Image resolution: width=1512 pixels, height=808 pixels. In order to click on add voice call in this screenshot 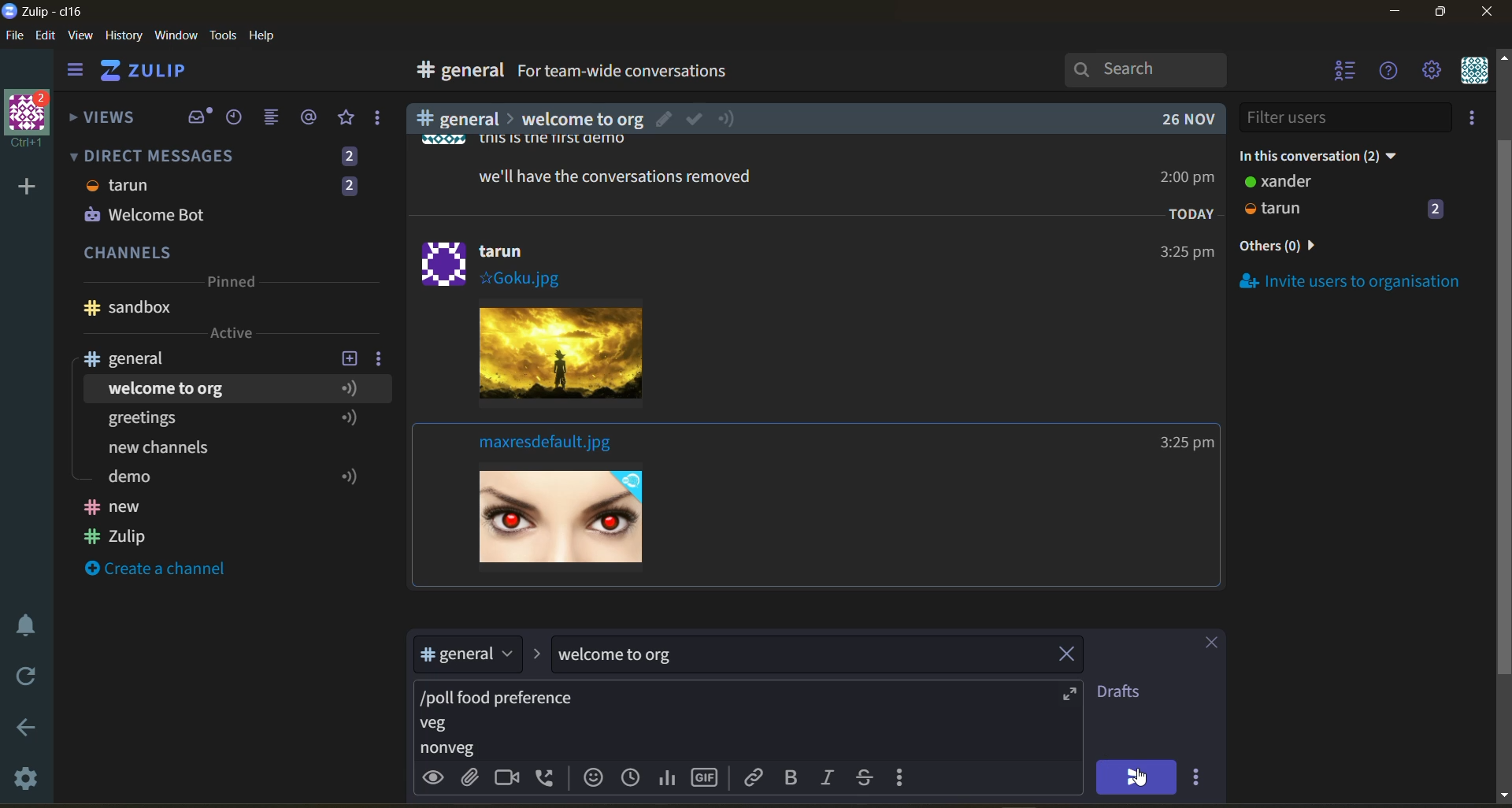, I will do `click(547, 776)`.